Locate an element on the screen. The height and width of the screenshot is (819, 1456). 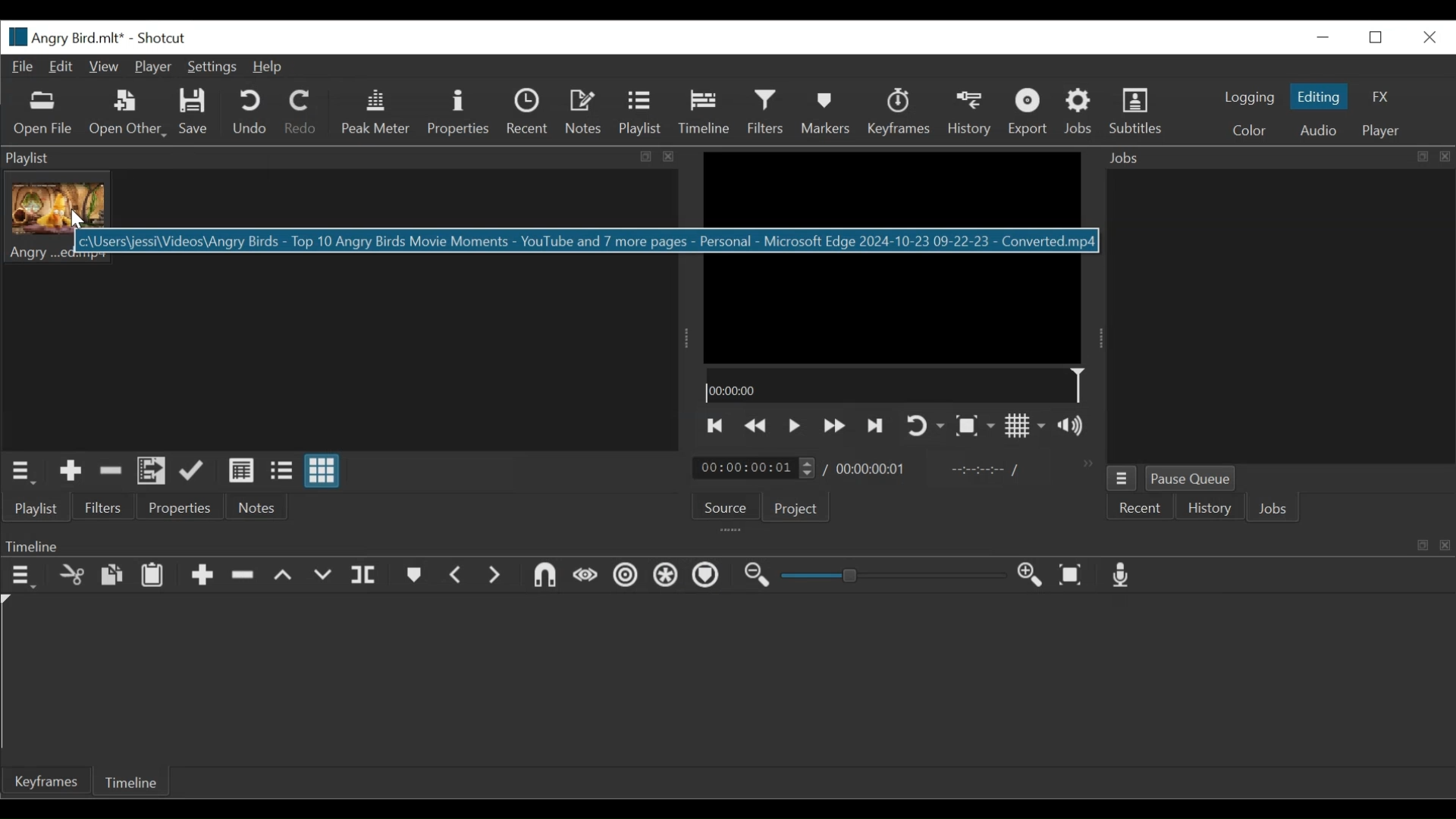
Close is located at coordinates (1325, 37).